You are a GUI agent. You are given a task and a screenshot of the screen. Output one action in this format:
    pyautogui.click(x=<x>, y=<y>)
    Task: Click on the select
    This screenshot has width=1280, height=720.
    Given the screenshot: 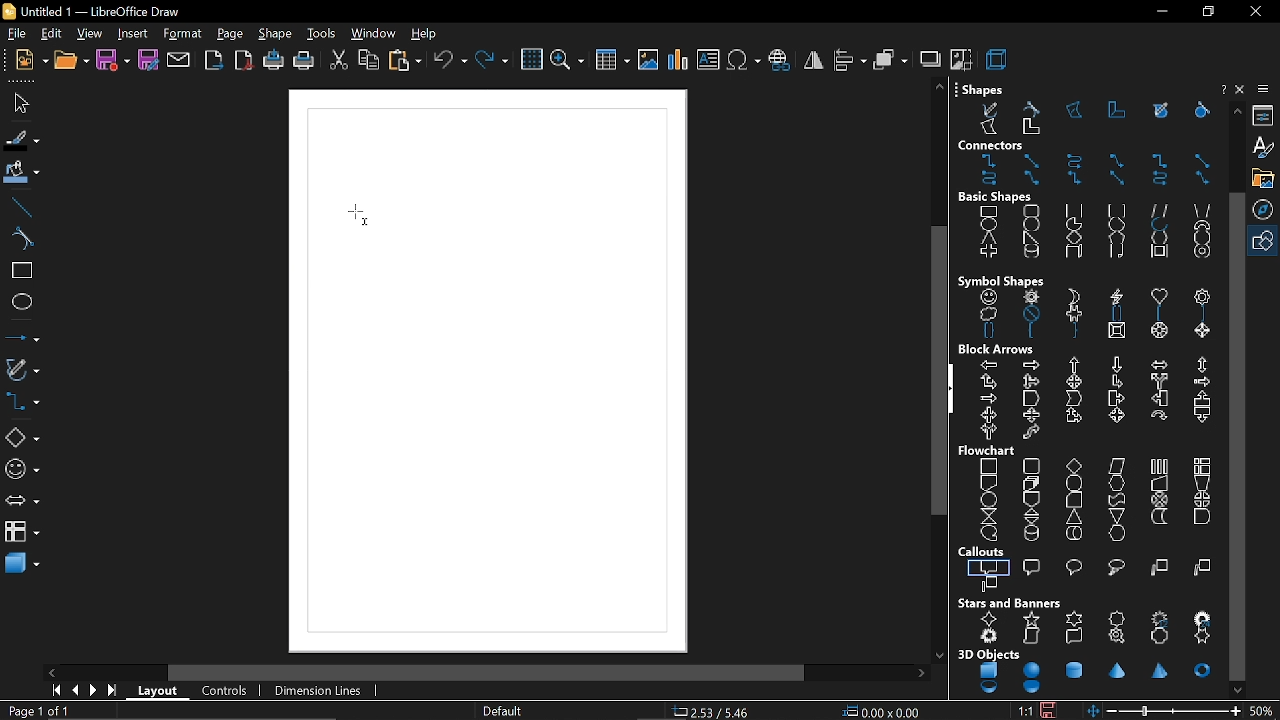 What is the action you would take?
    pyautogui.click(x=18, y=103)
    